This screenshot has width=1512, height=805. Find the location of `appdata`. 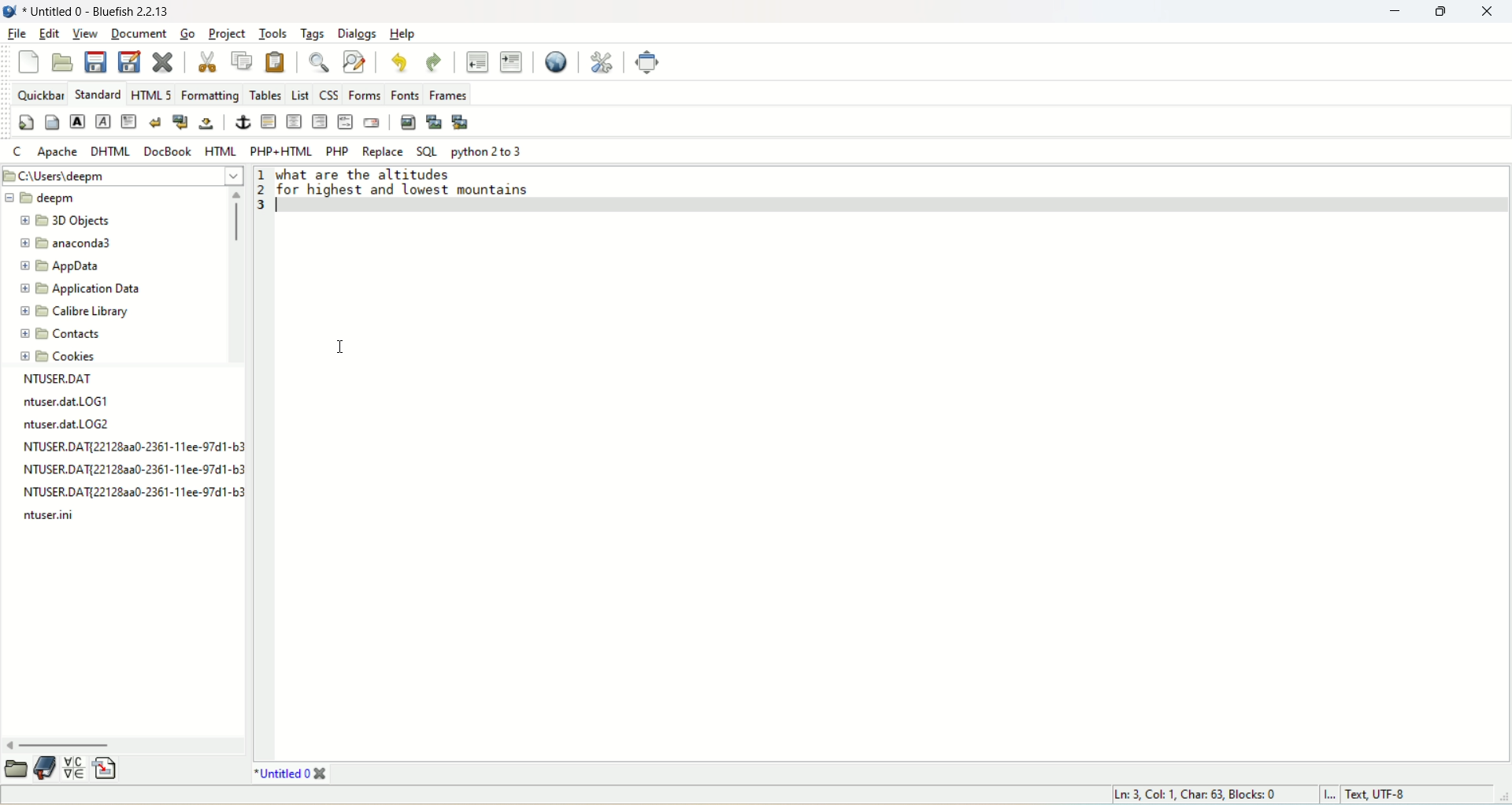

appdata is located at coordinates (70, 267).